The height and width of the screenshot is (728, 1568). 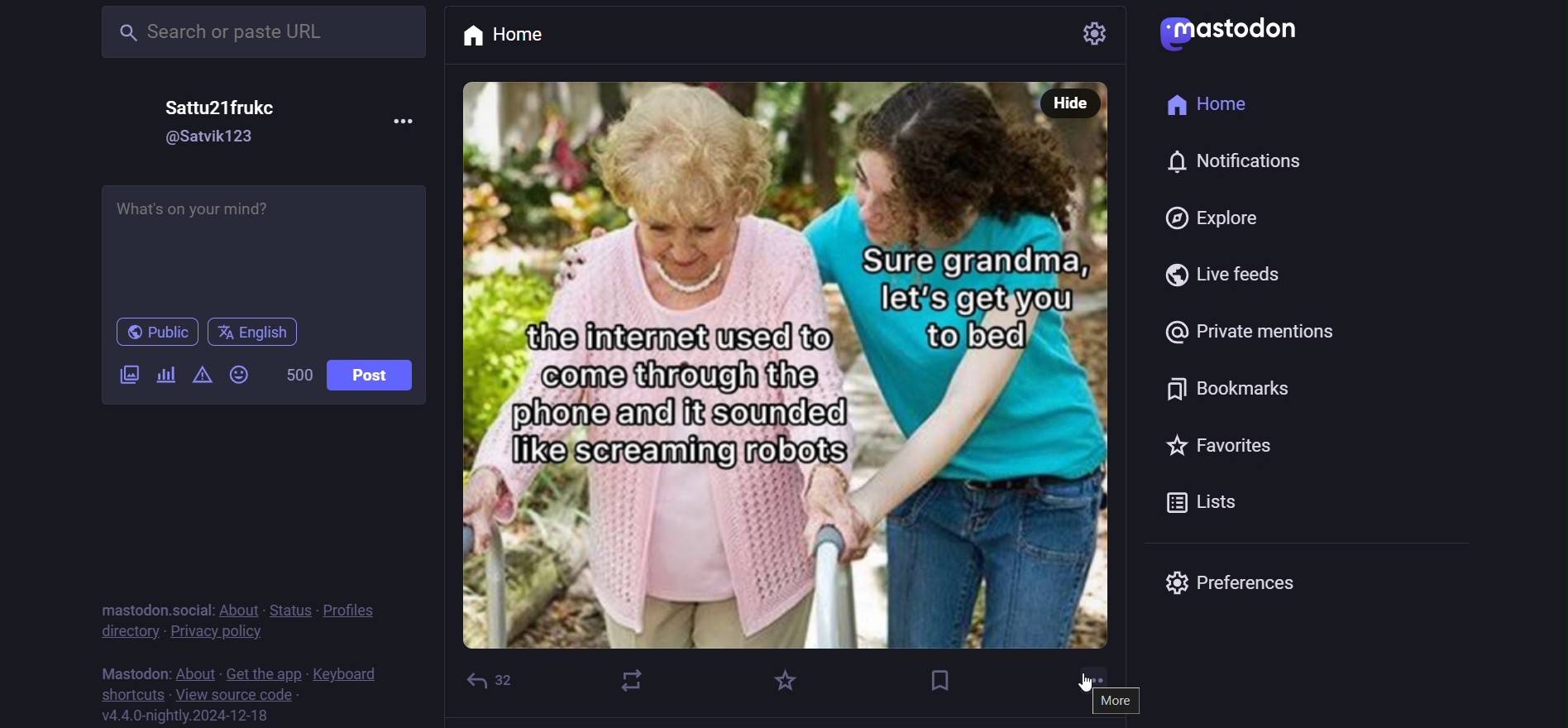 I want to click on private mention, so click(x=1250, y=331).